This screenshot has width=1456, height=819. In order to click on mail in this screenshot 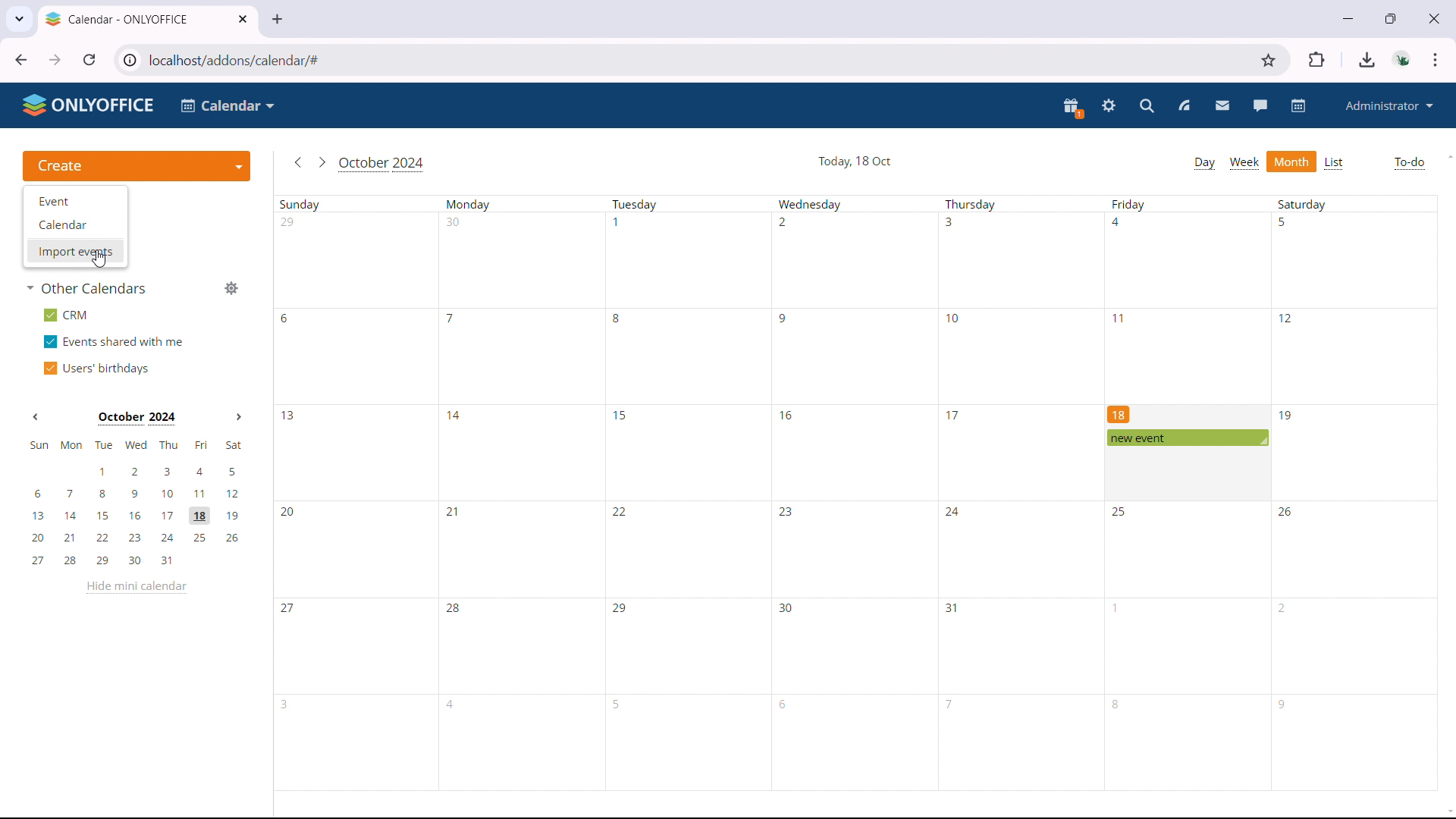, I will do `click(1222, 106)`.